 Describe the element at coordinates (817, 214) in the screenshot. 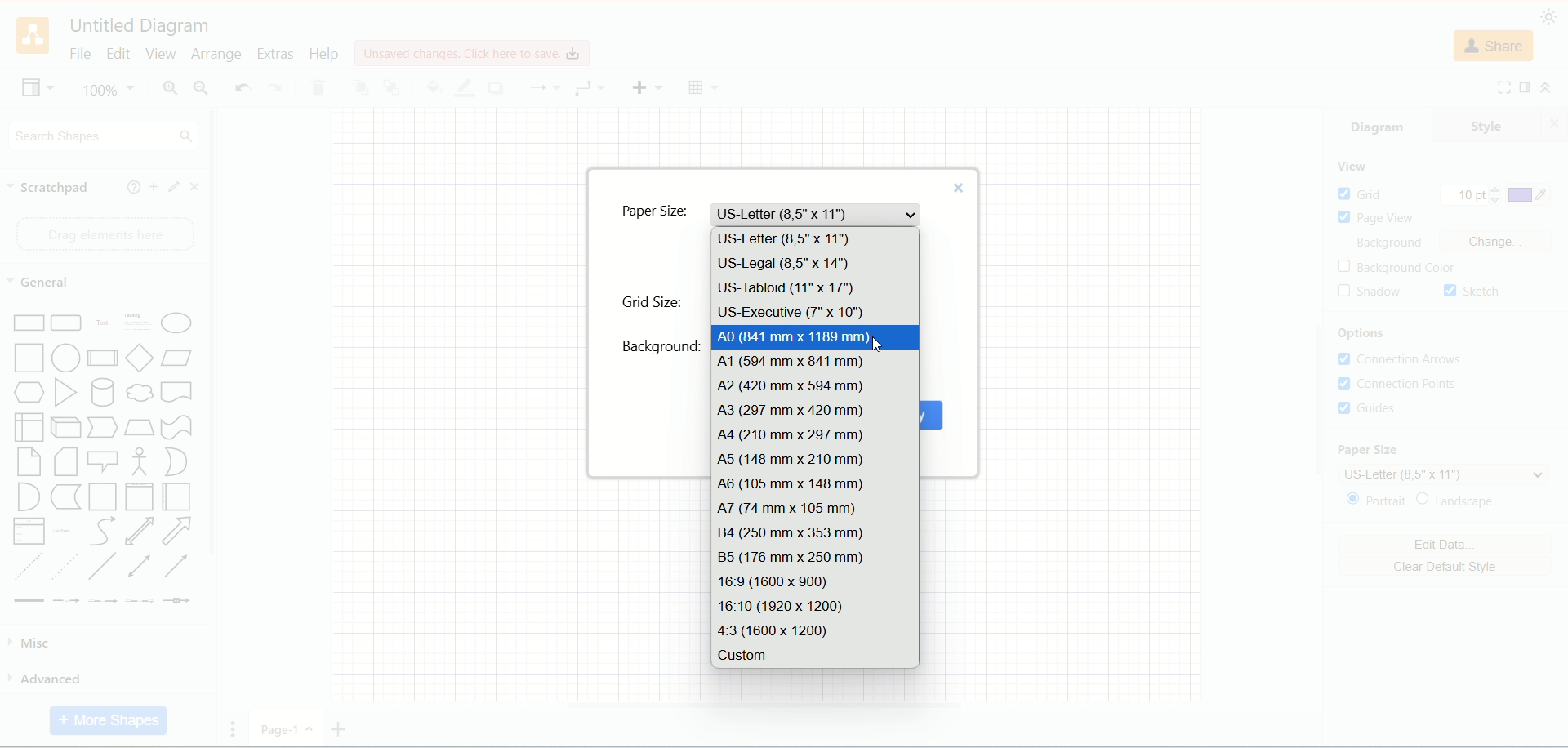

I see `US-letter` at that location.